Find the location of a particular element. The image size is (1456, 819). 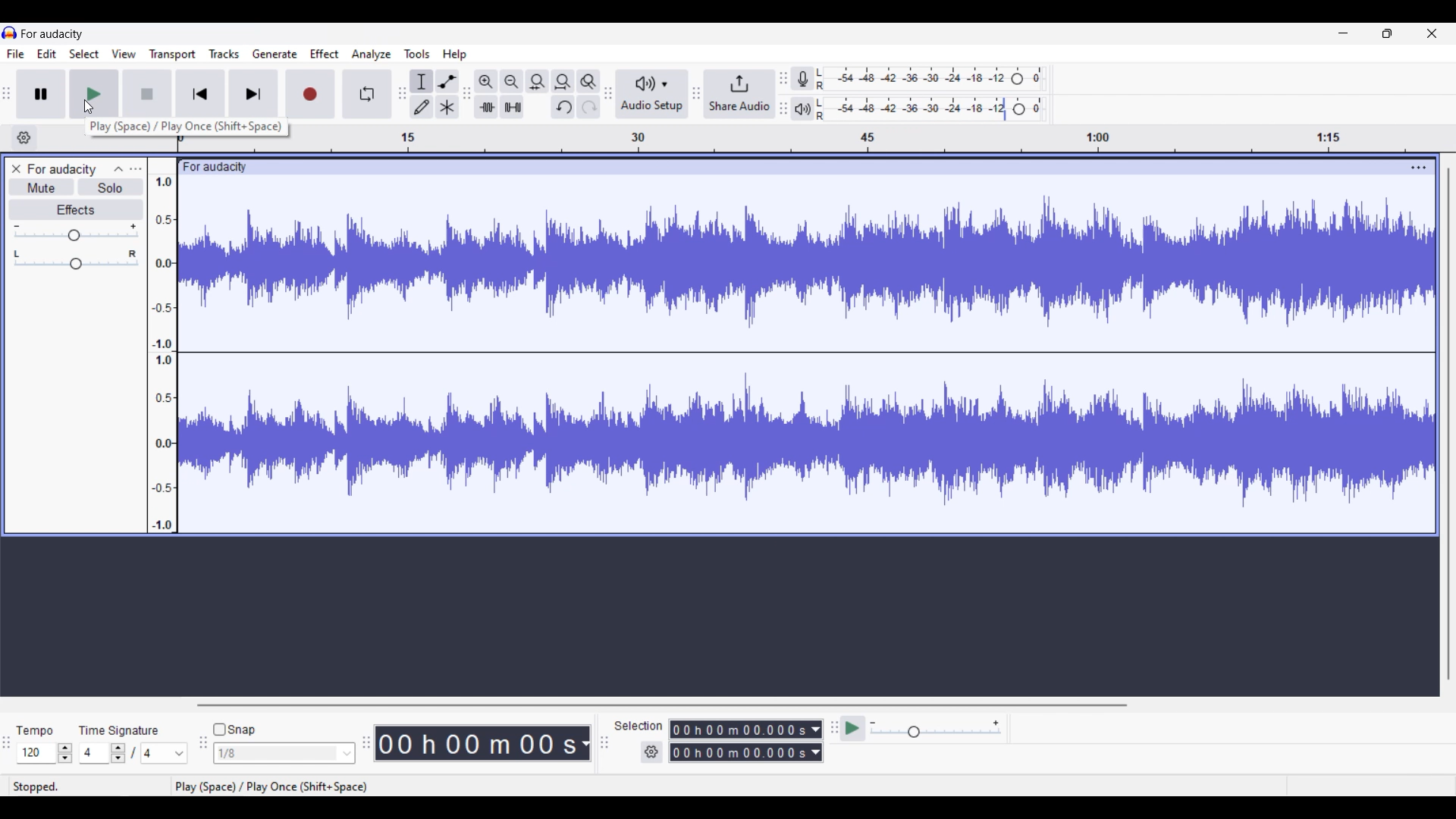

Effect menu is located at coordinates (325, 54).